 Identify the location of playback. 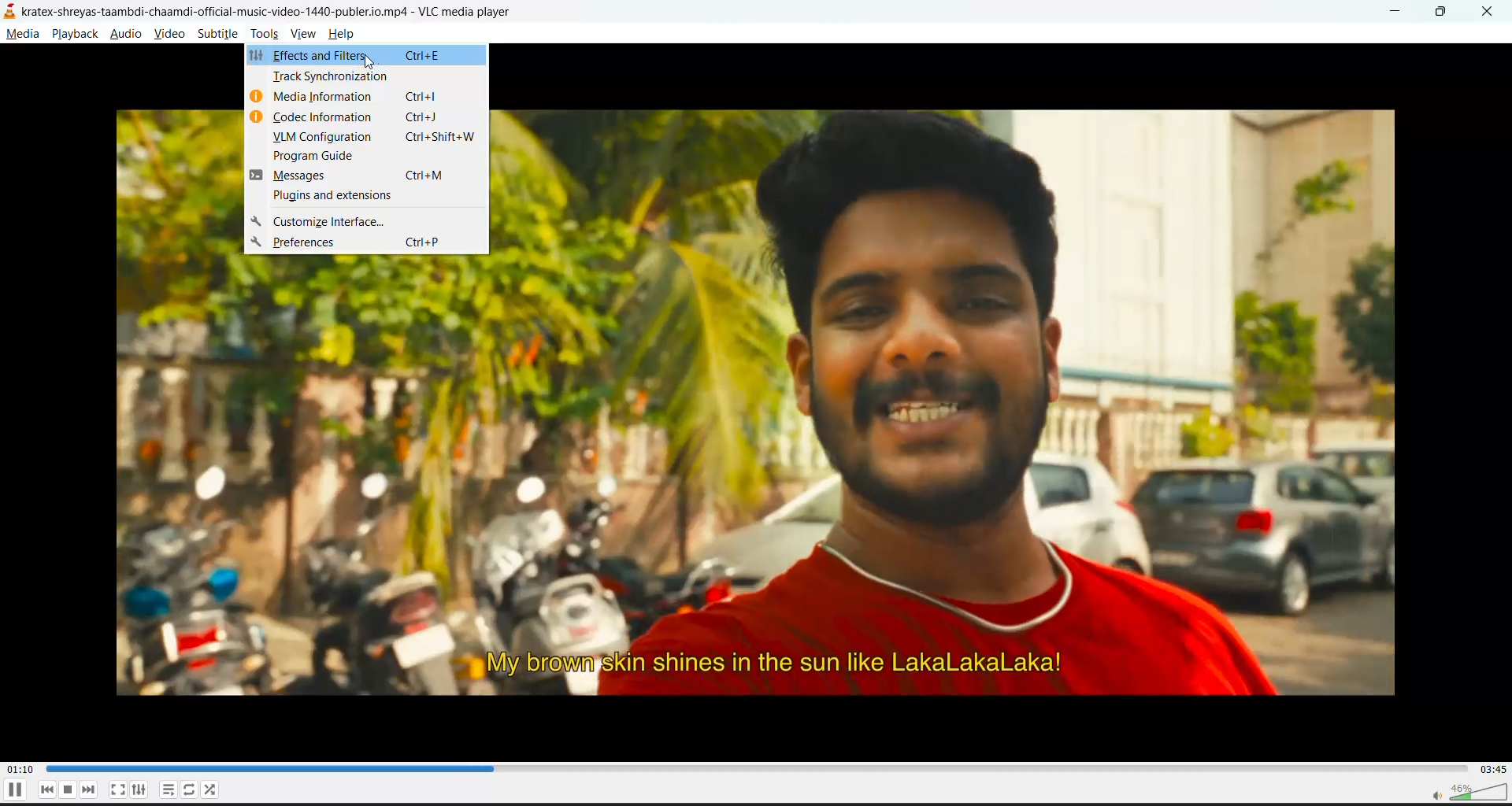
(75, 34).